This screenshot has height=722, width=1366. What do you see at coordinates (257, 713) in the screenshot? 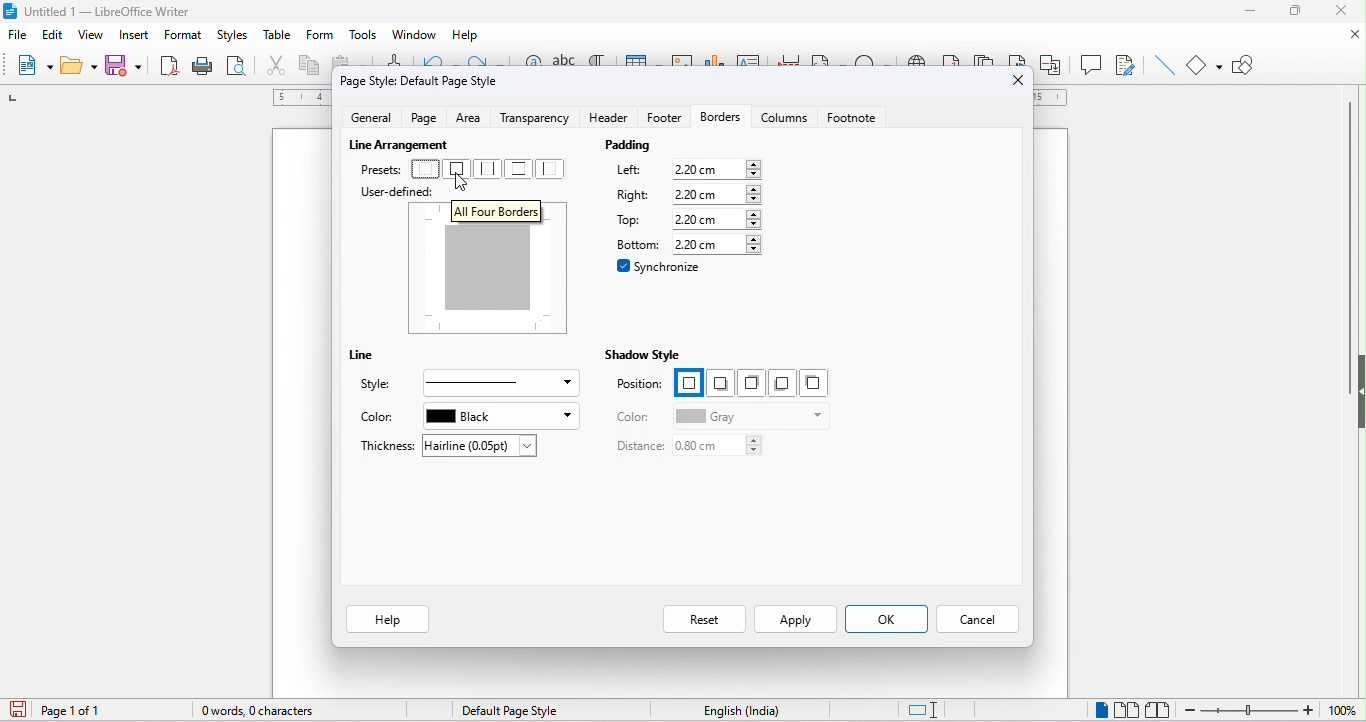
I see `word and character count` at bounding box center [257, 713].